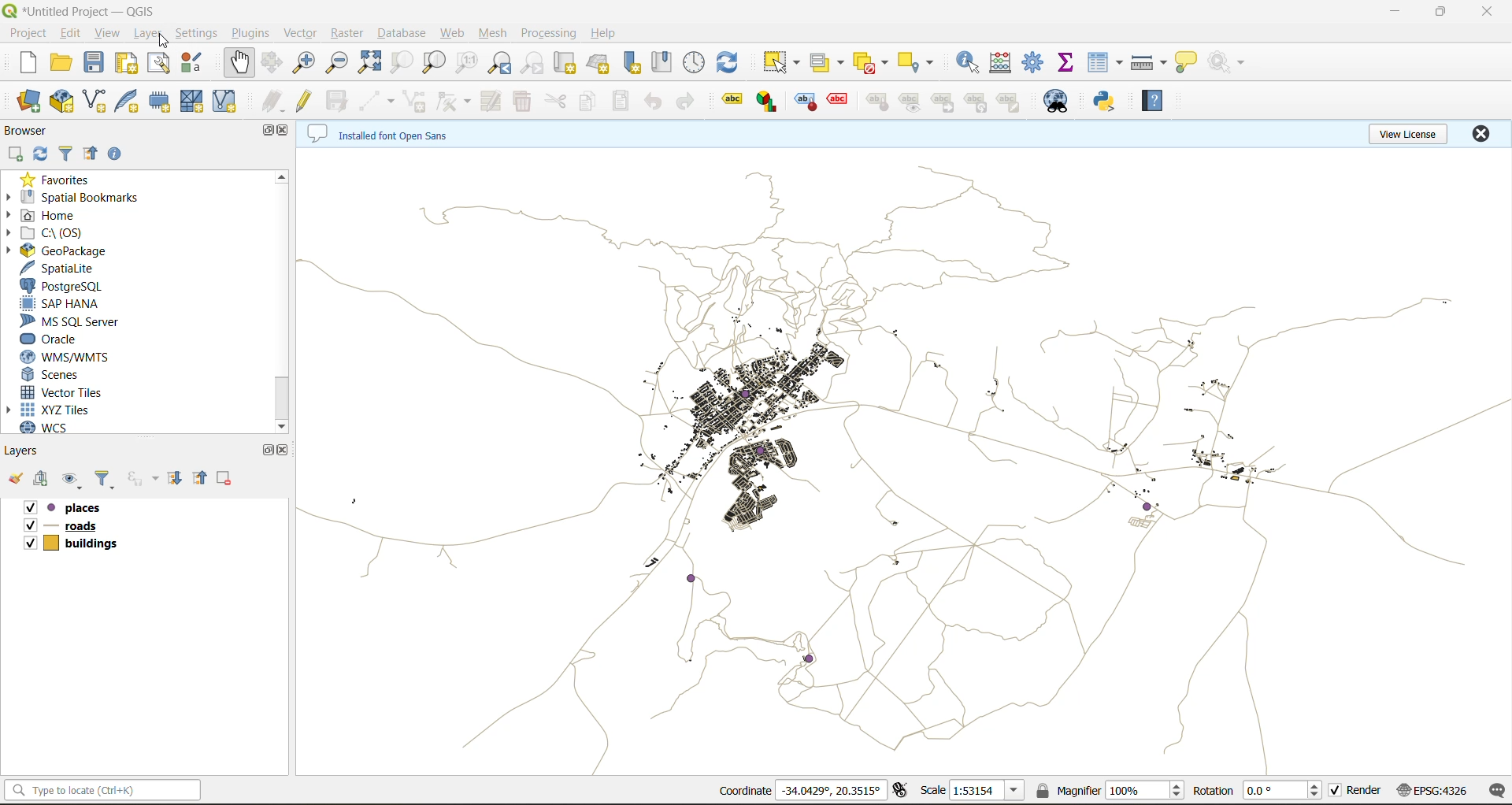  Describe the element at coordinates (1148, 63) in the screenshot. I see `measure line` at that location.